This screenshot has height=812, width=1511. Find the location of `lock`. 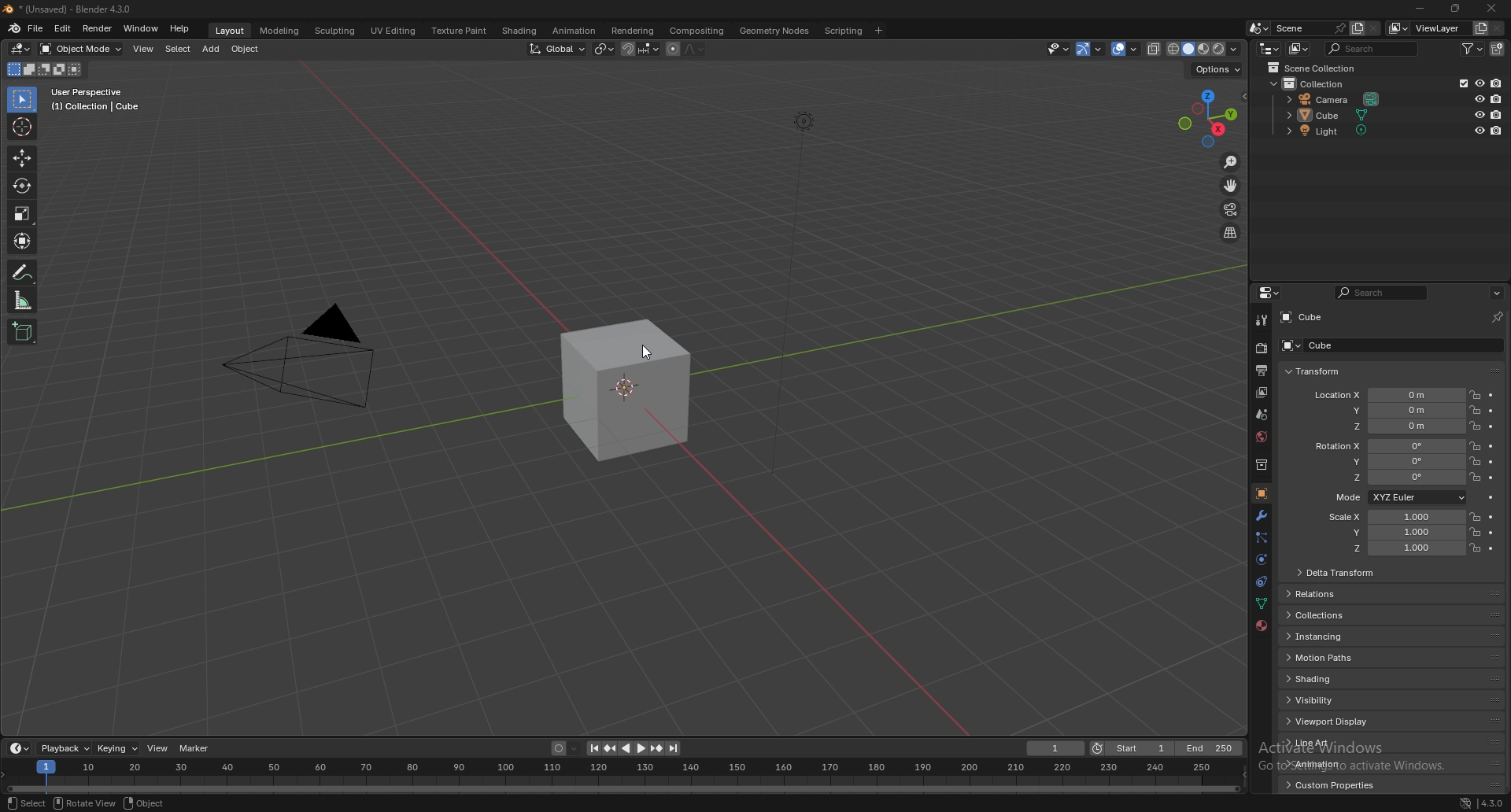

lock is located at coordinates (1475, 409).